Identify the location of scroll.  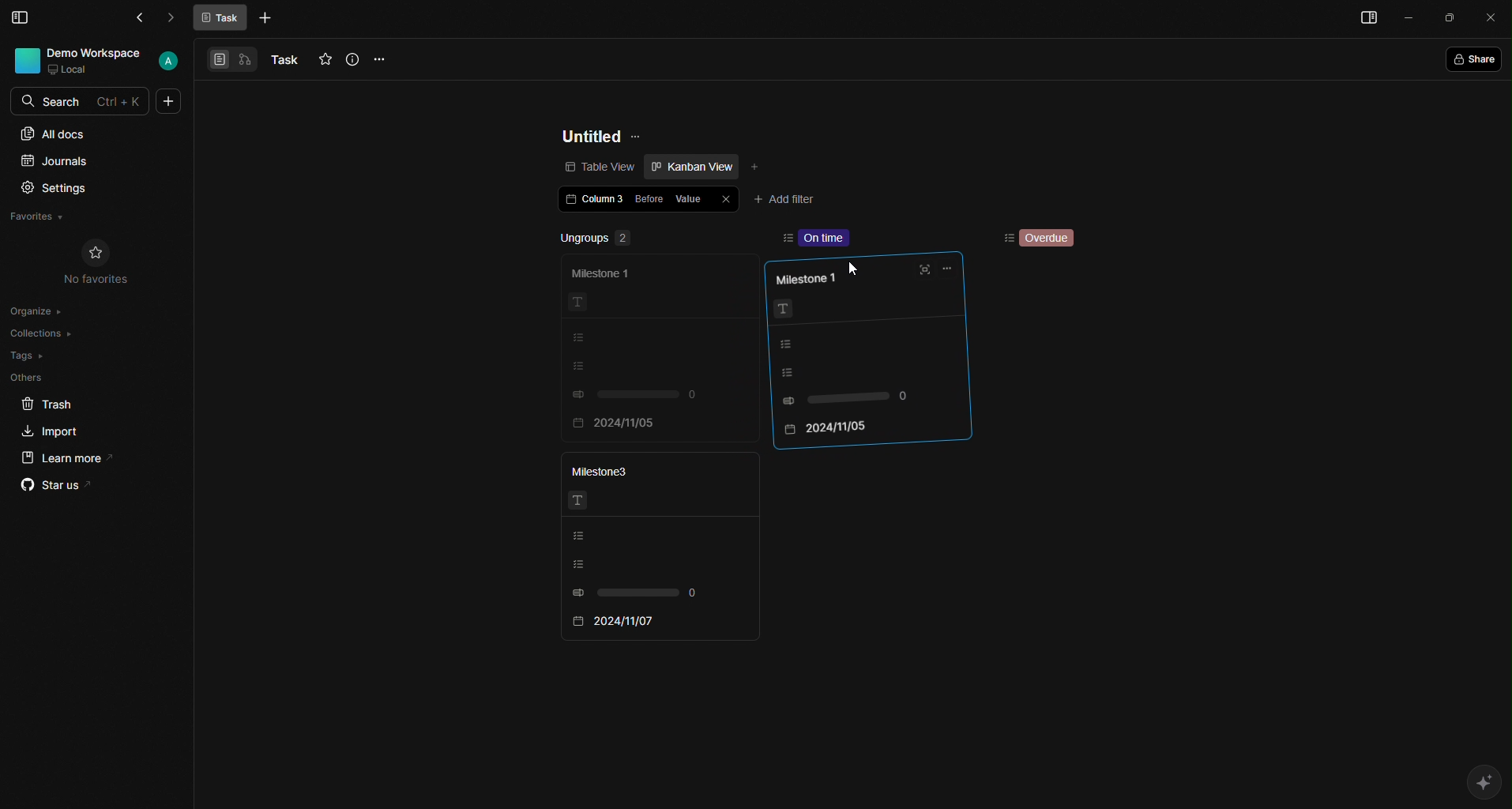
(1502, 396).